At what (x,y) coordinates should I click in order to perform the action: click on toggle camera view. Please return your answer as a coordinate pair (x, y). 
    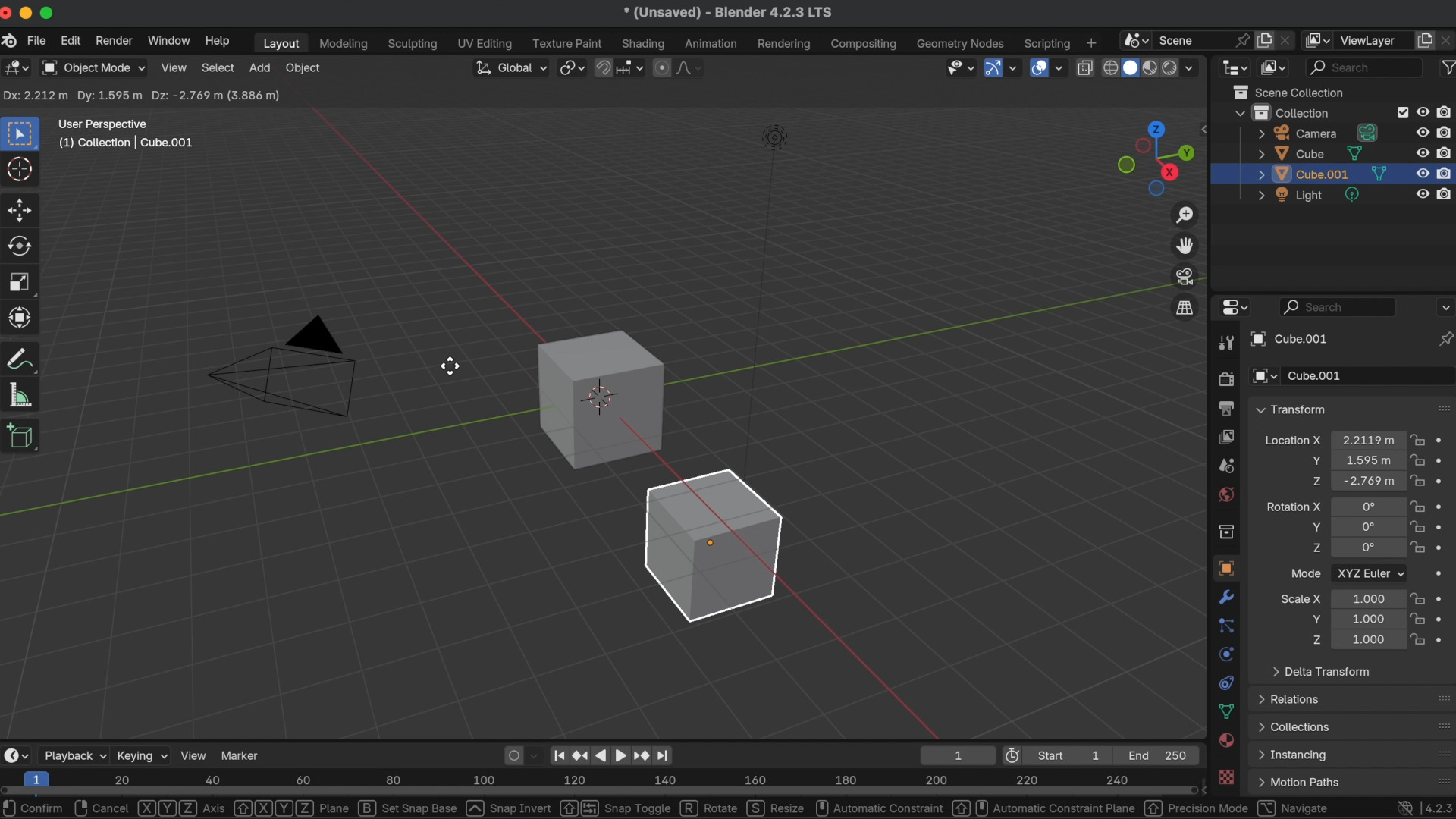
    Looking at the image, I should click on (1186, 276).